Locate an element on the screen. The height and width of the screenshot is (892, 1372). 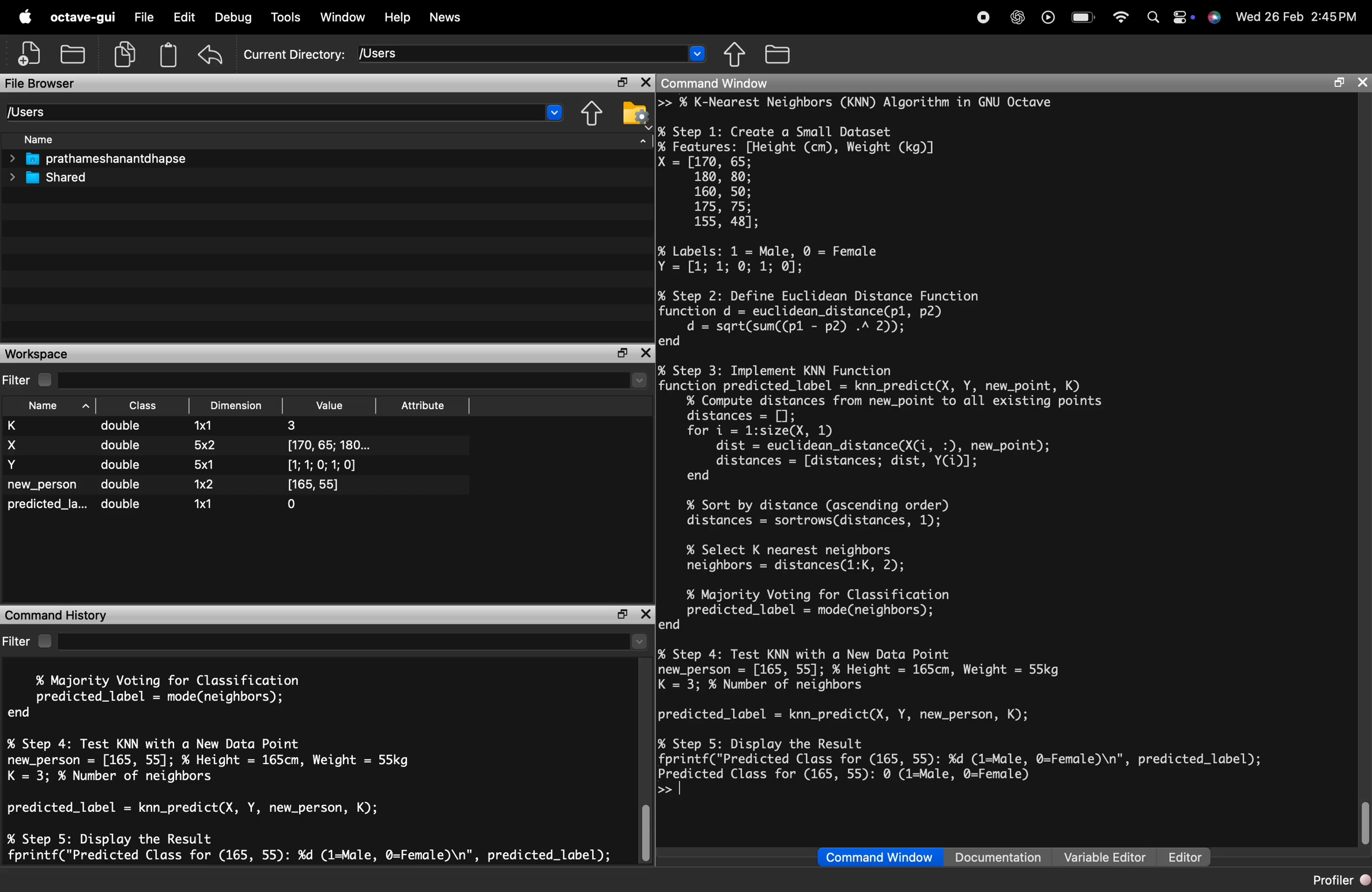
1 Documentation is located at coordinates (992, 852).